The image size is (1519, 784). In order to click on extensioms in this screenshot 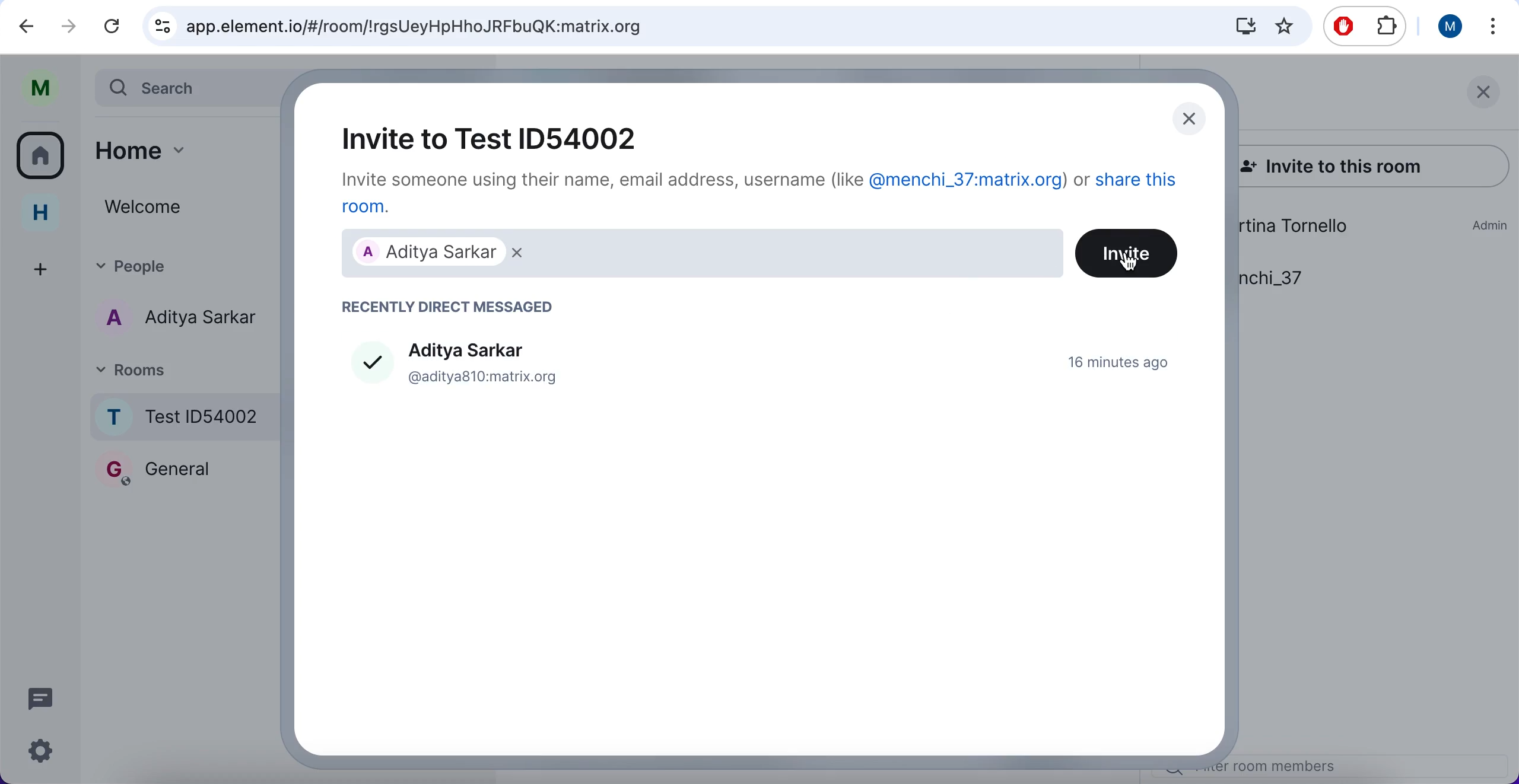, I will do `click(1385, 29)`.